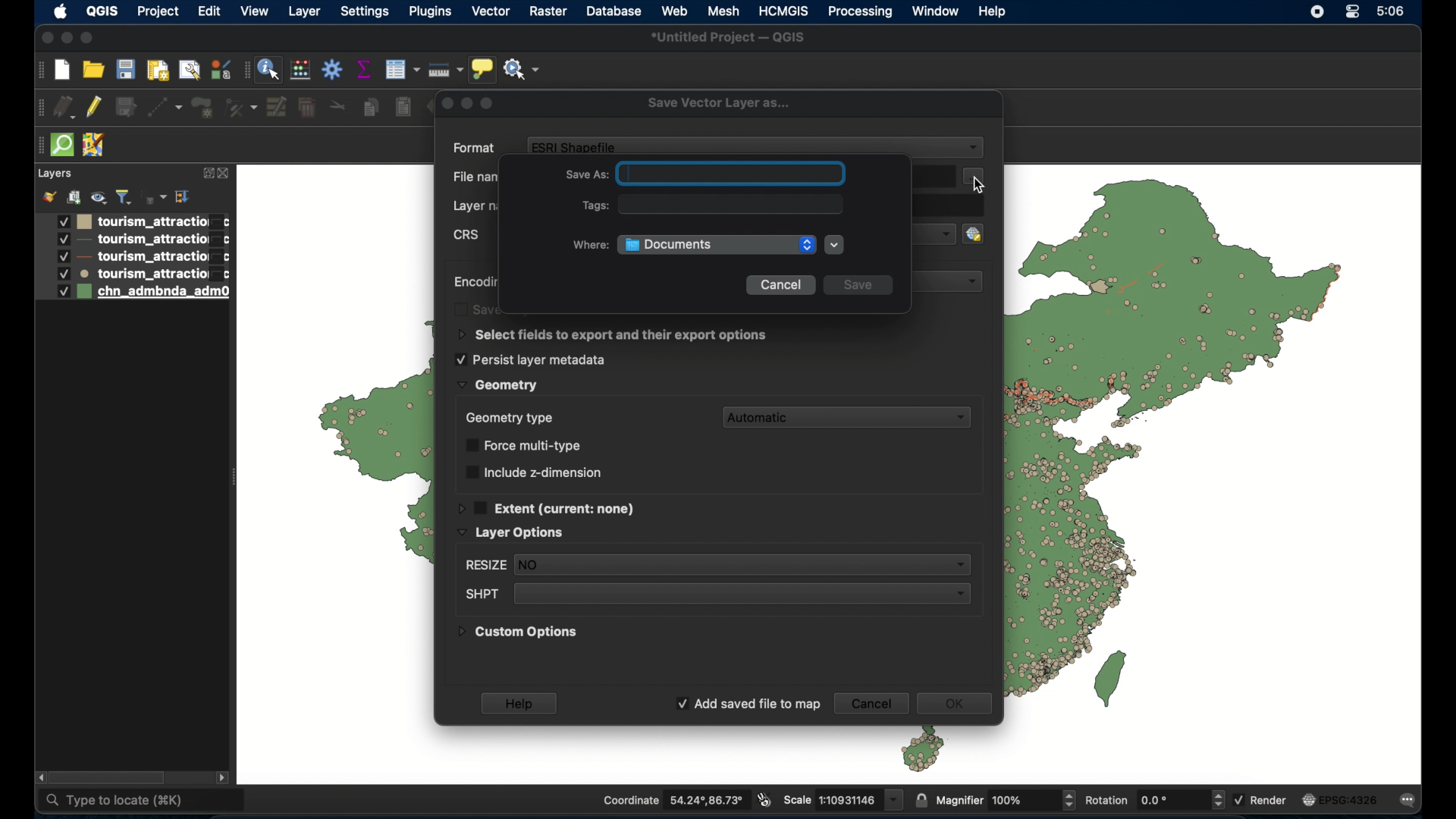  I want to click on toolbox, so click(333, 71).